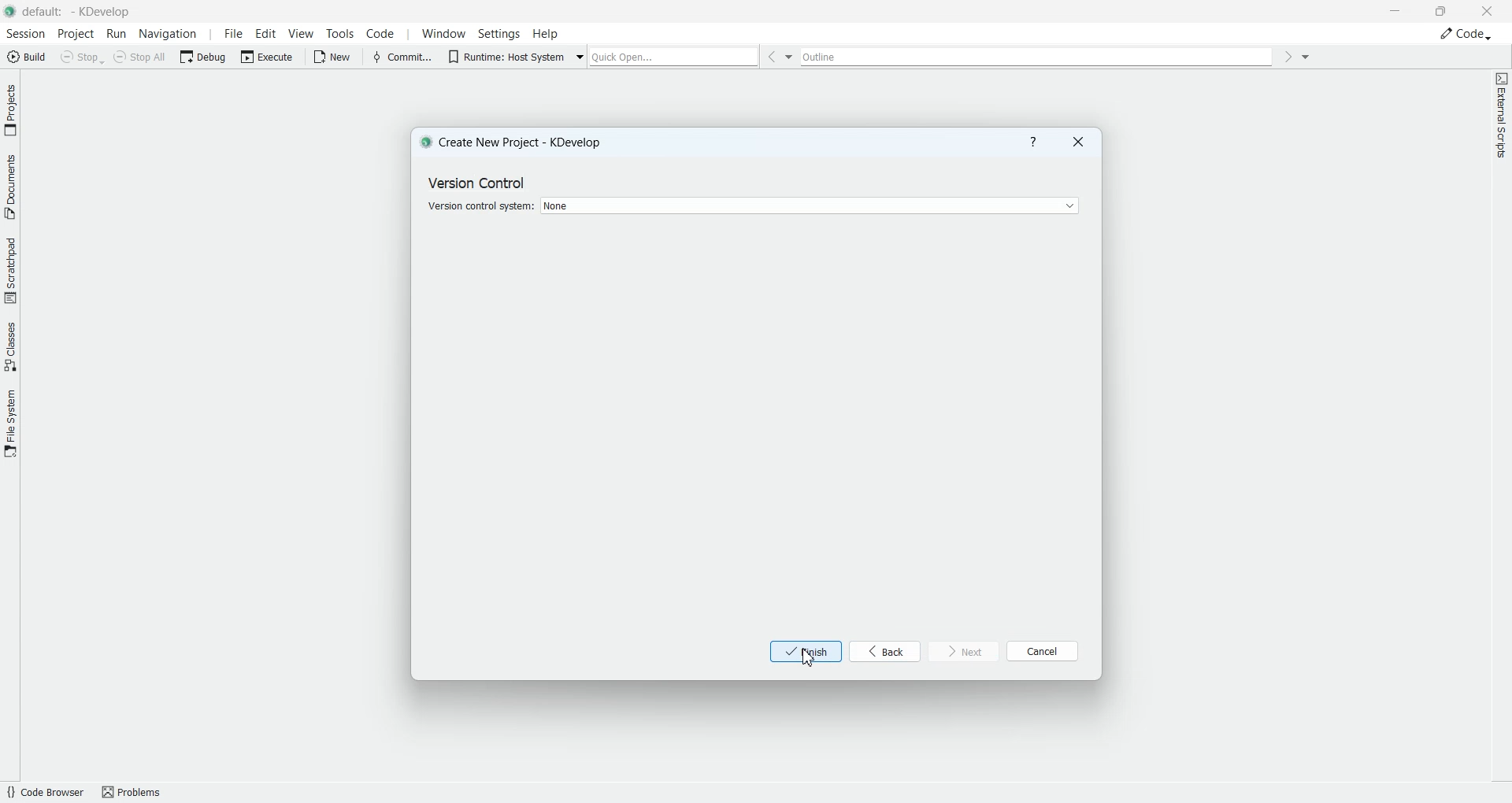  I want to click on Drop down box, so click(791, 57).